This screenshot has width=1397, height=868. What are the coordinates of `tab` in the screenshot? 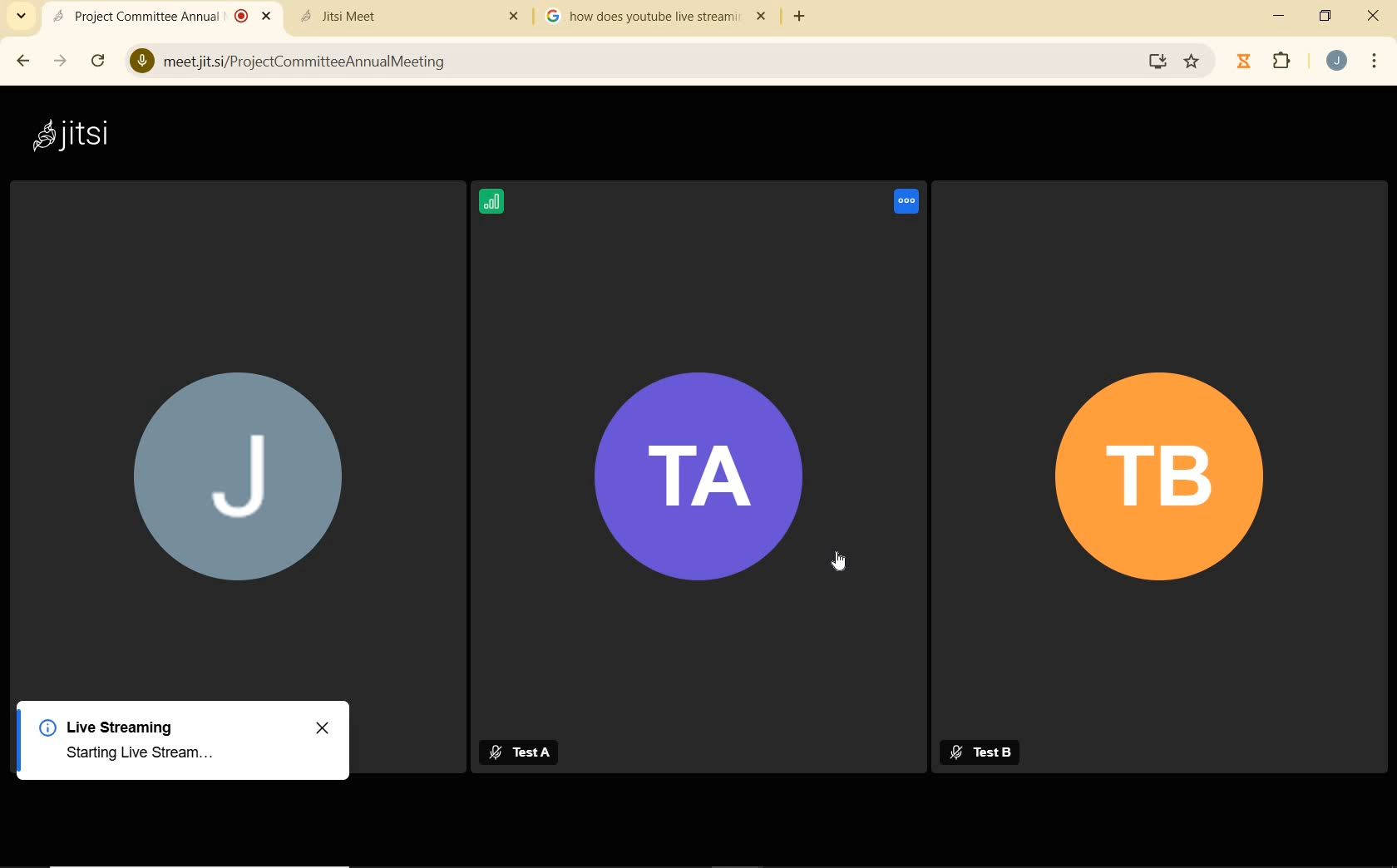 It's located at (388, 16).